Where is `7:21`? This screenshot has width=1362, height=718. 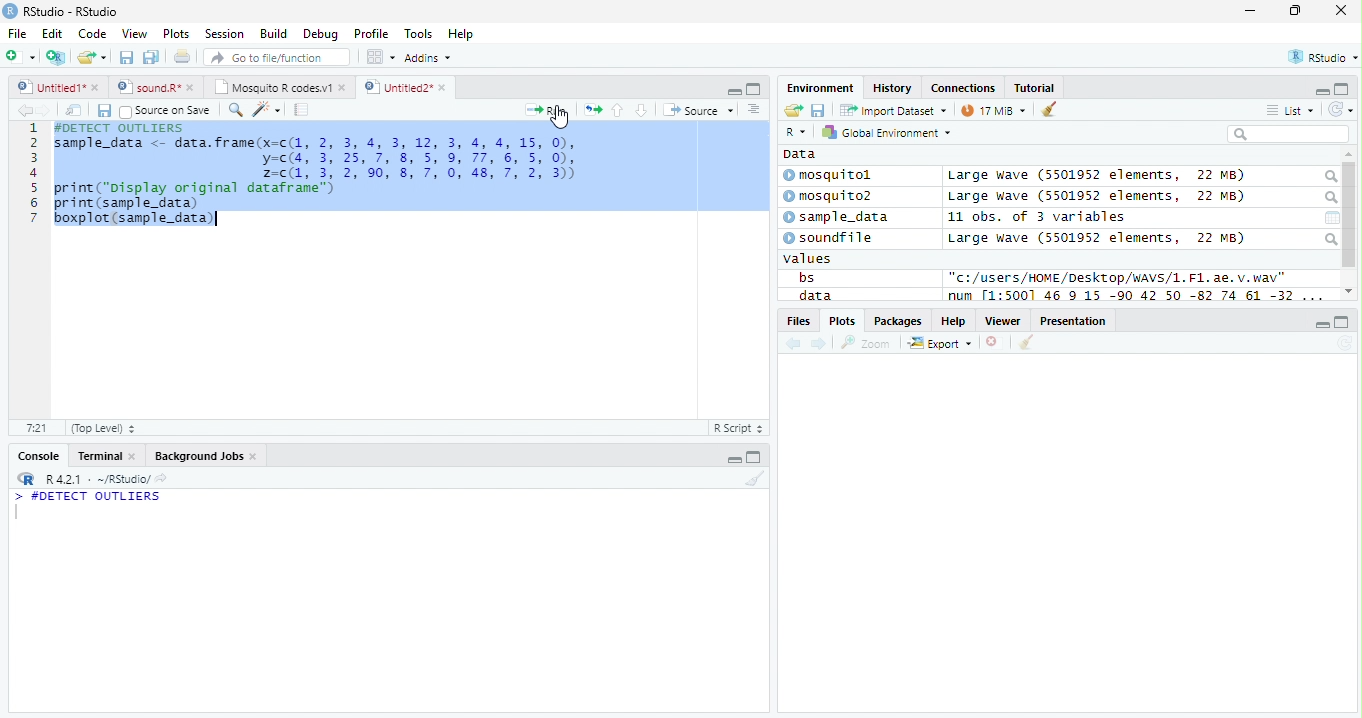
7:21 is located at coordinates (36, 427).